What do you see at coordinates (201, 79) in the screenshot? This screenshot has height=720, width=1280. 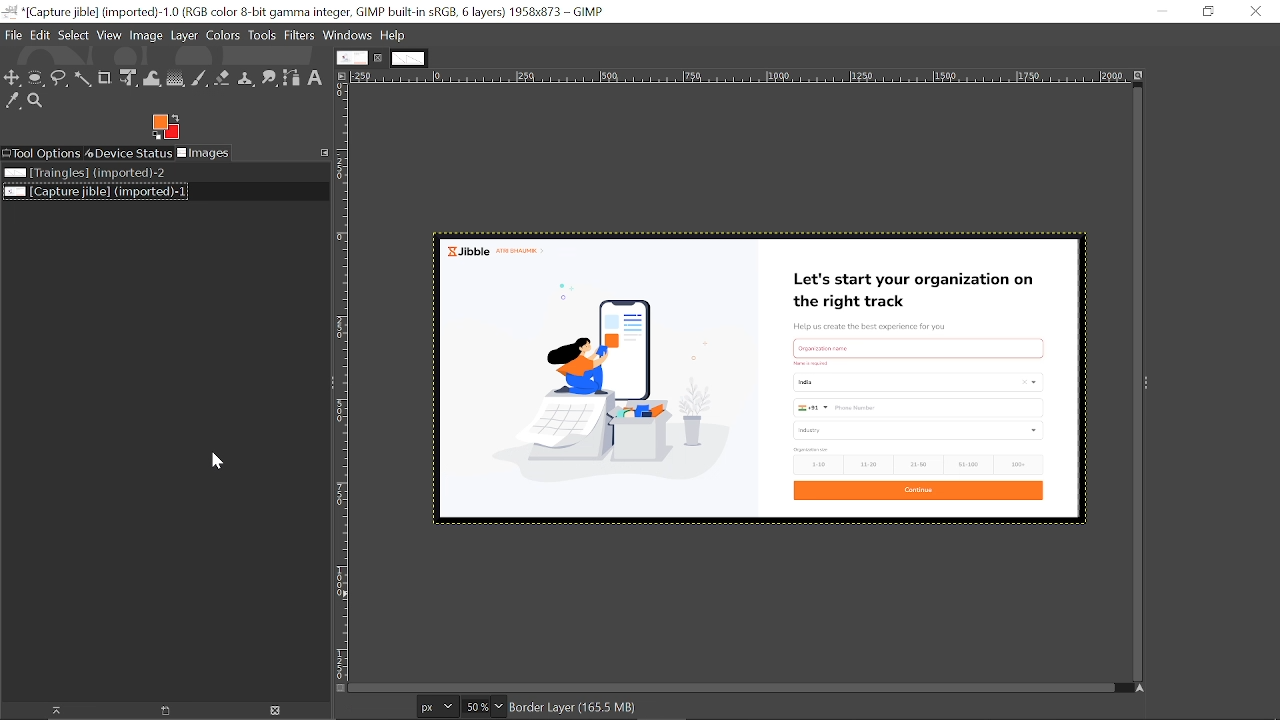 I see `Paintbrush tool` at bounding box center [201, 79].